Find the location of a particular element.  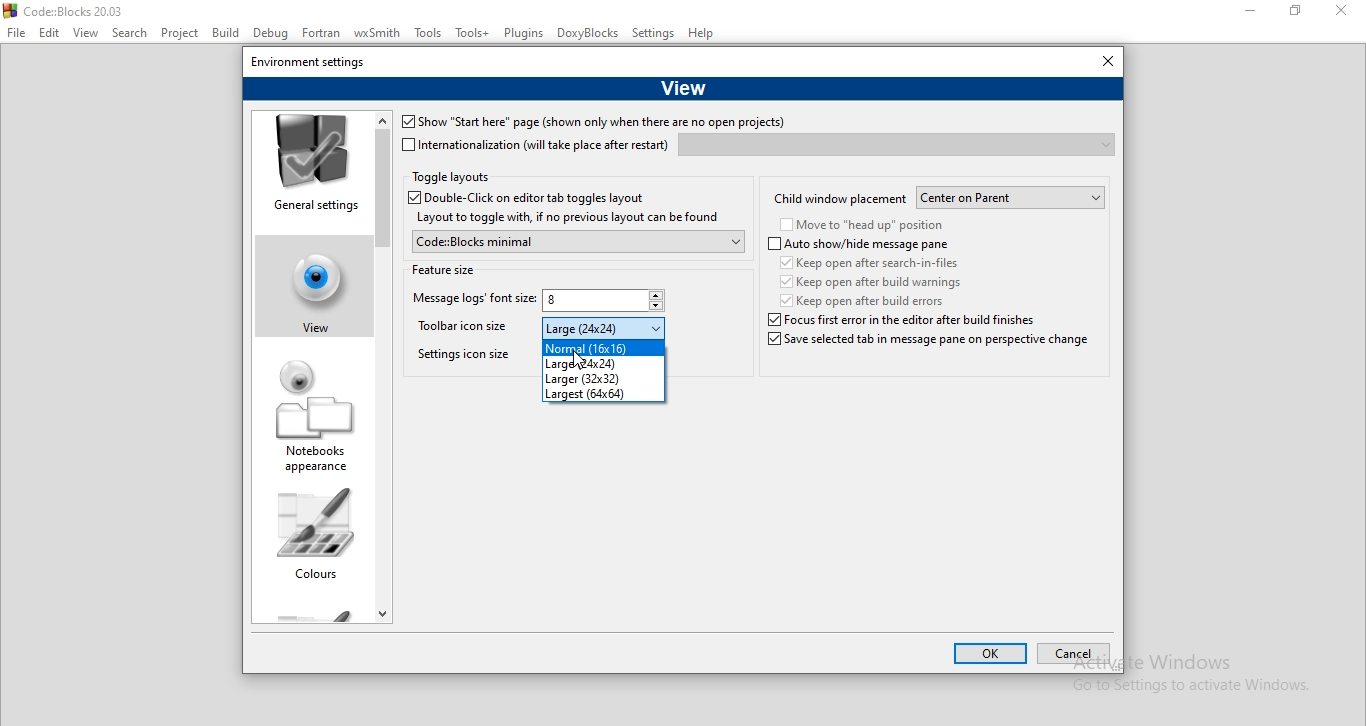

Fortran is located at coordinates (322, 33).